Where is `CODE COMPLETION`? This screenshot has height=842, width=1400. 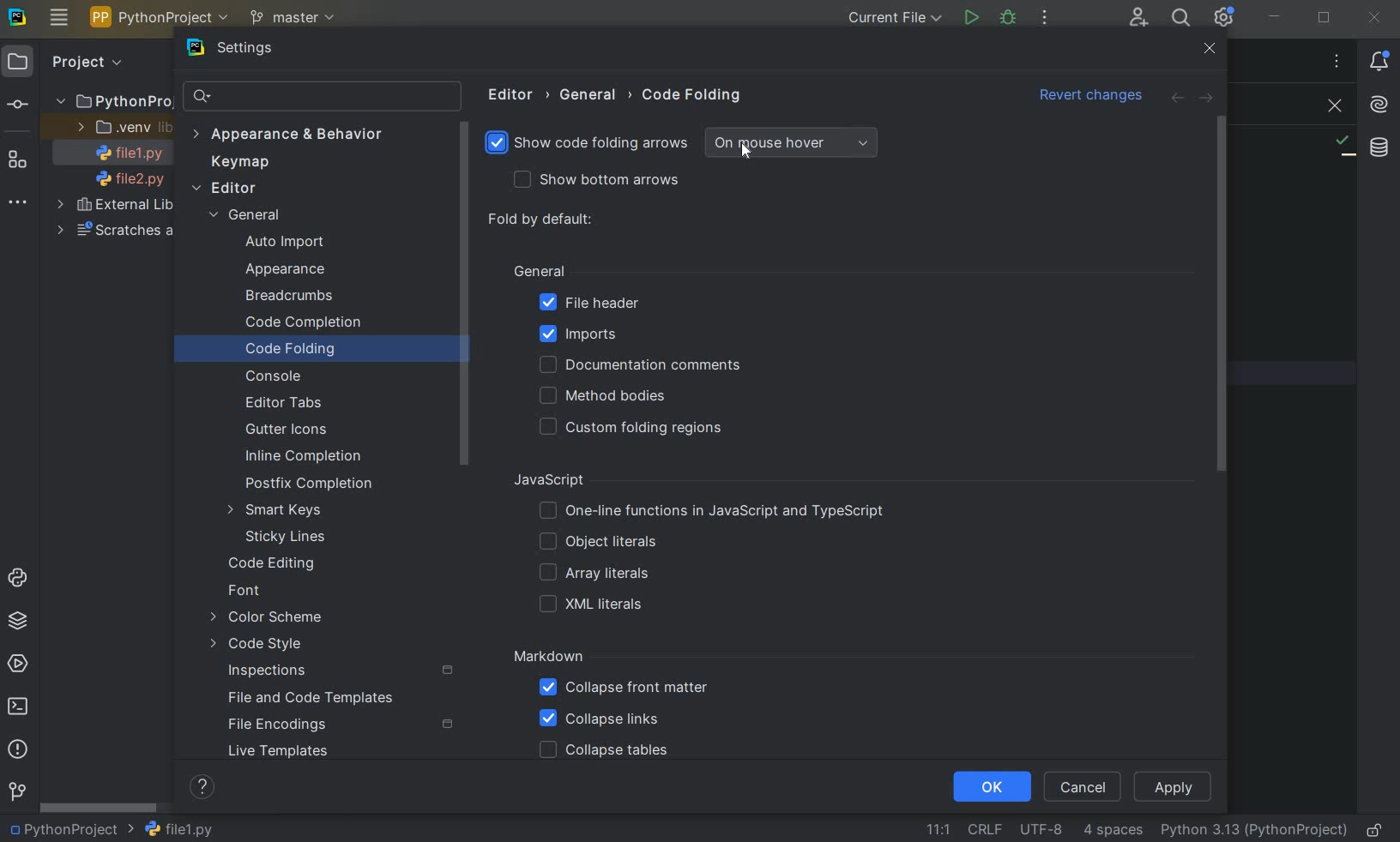 CODE COMPLETION is located at coordinates (303, 323).